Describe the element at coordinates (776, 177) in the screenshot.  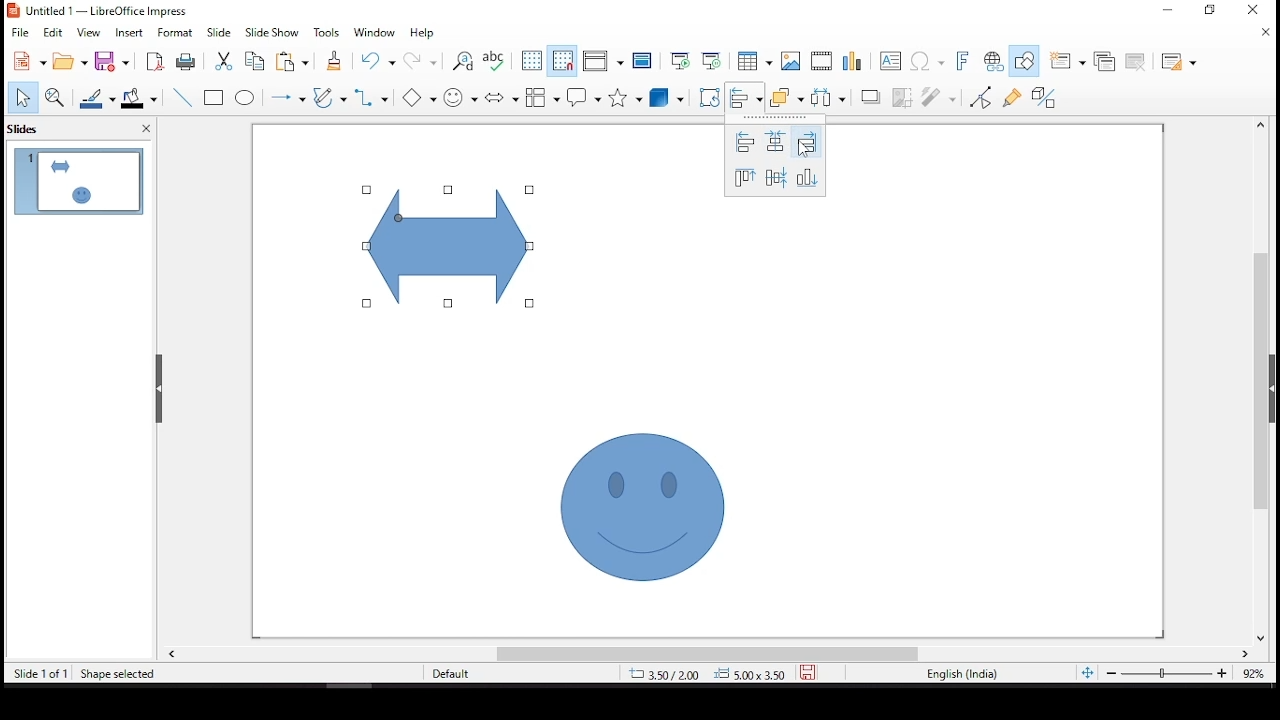
I see `center` at that location.